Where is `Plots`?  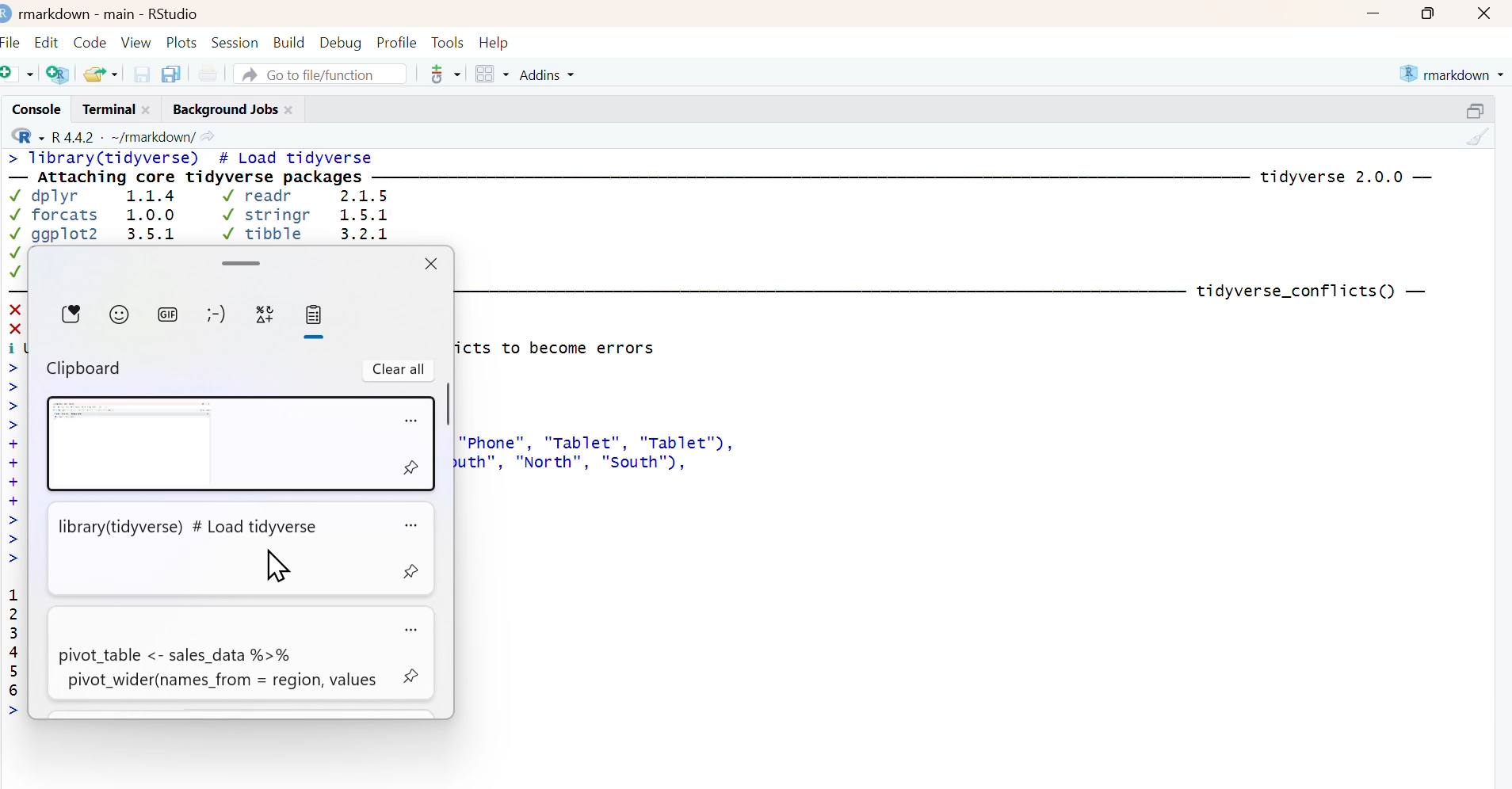
Plots is located at coordinates (182, 40).